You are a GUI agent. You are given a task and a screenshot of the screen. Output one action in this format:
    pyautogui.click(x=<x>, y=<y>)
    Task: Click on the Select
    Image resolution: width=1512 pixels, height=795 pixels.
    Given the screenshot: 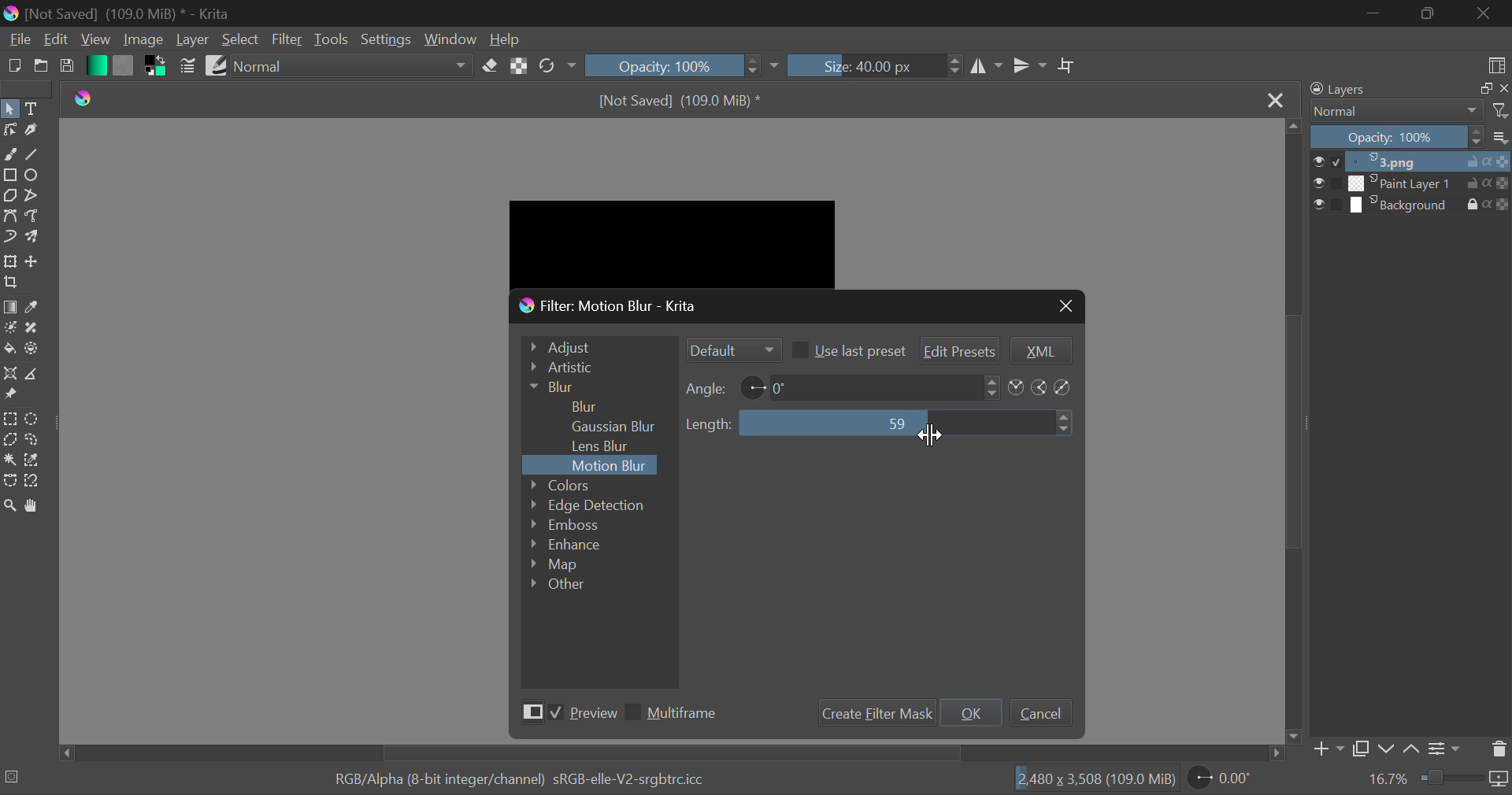 What is the action you would take?
    pyautogui.click(x=10, y=108)
    